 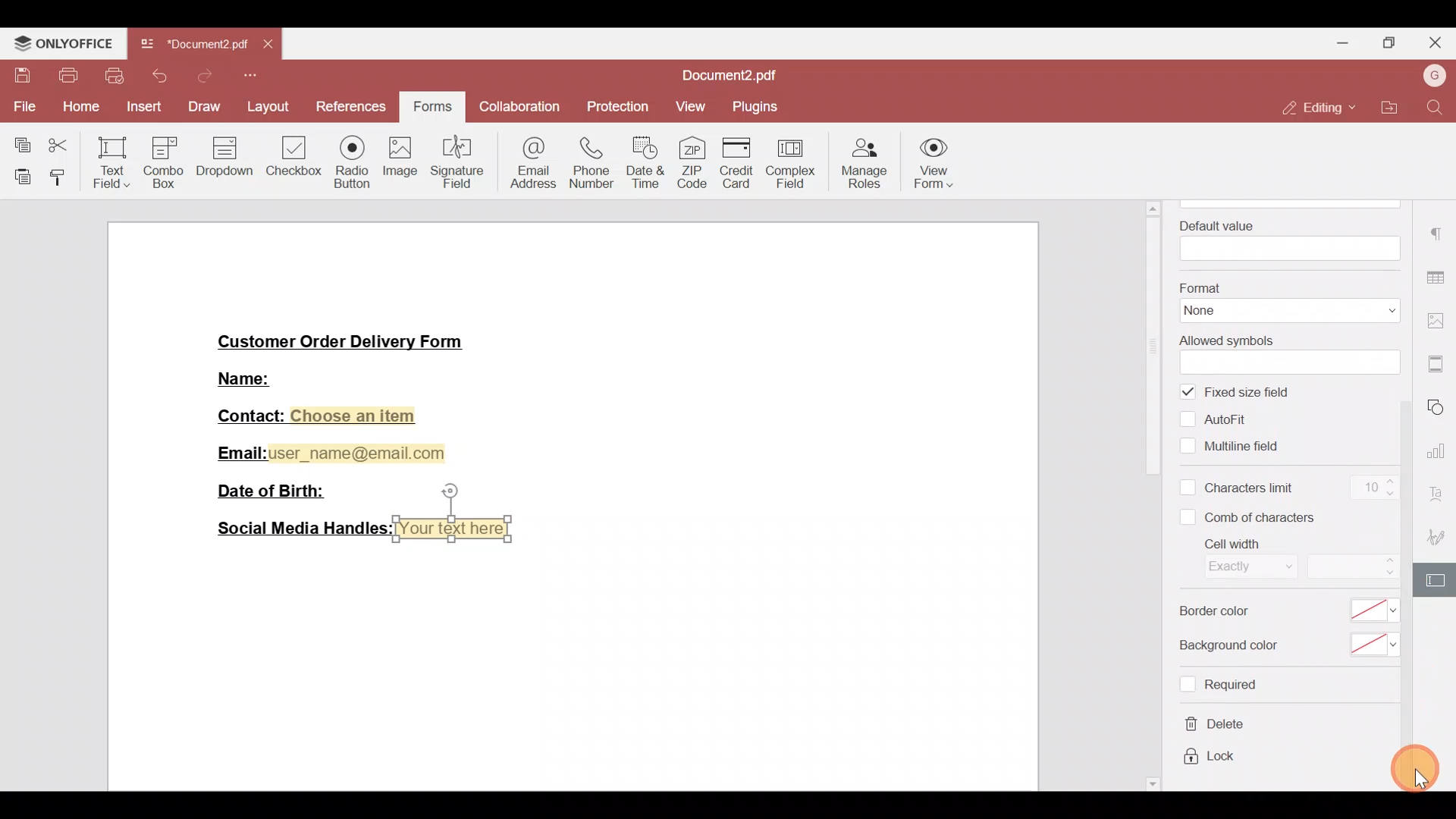 I want to click on Name:, so click(x=263, y=377).